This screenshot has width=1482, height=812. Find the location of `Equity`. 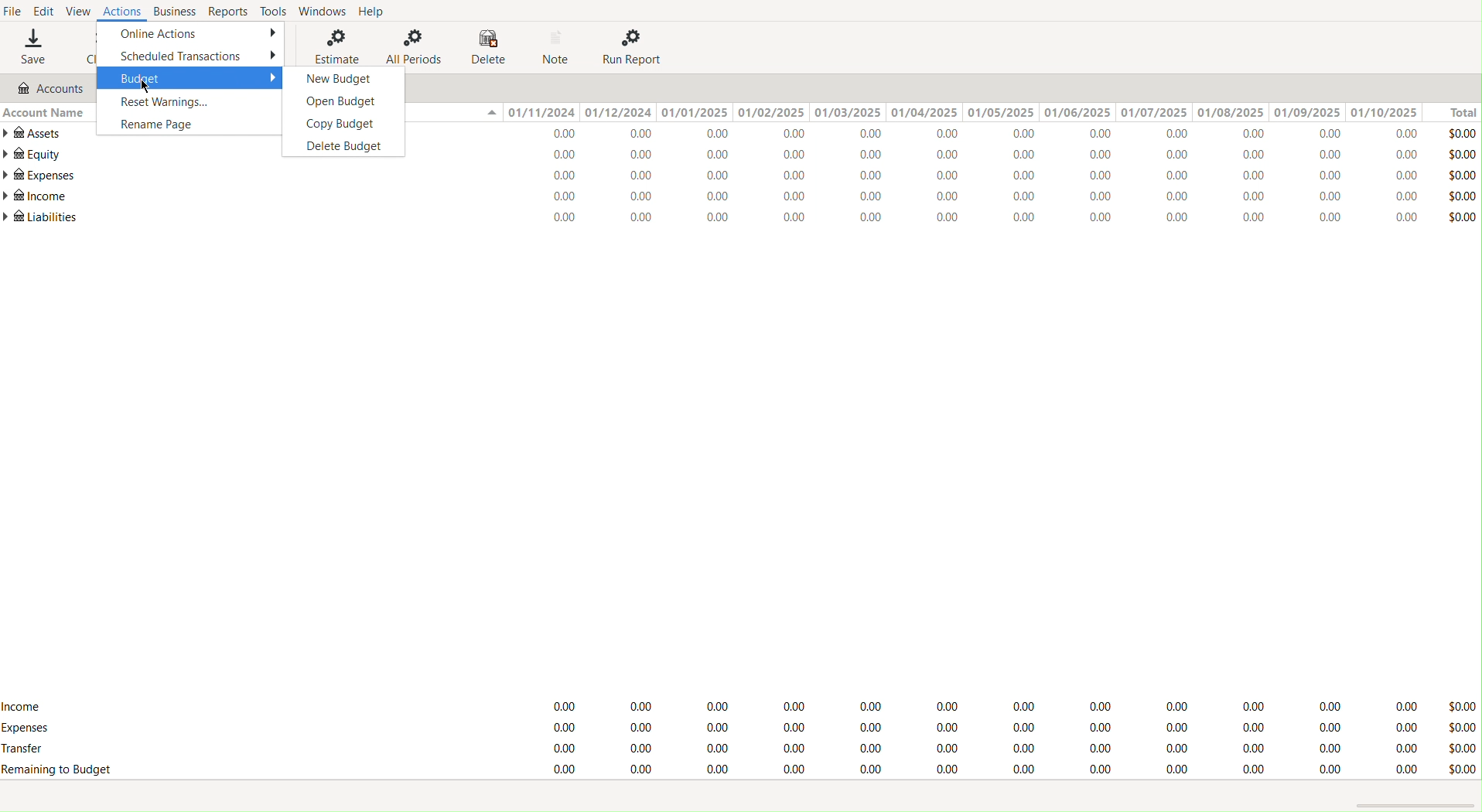

Equity is located at coordinates (32, 154).